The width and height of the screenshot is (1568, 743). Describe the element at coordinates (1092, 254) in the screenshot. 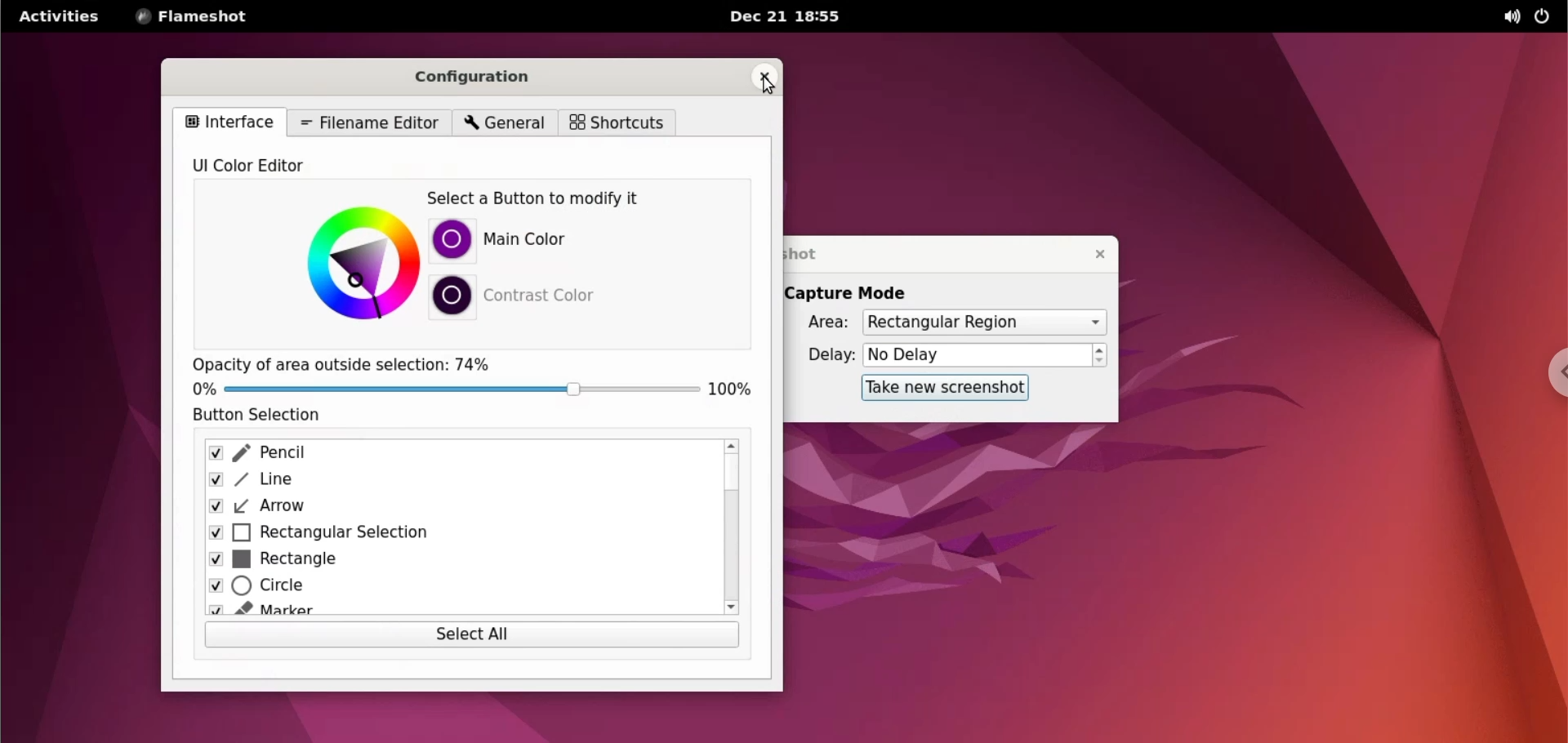

I see `close` at that location.